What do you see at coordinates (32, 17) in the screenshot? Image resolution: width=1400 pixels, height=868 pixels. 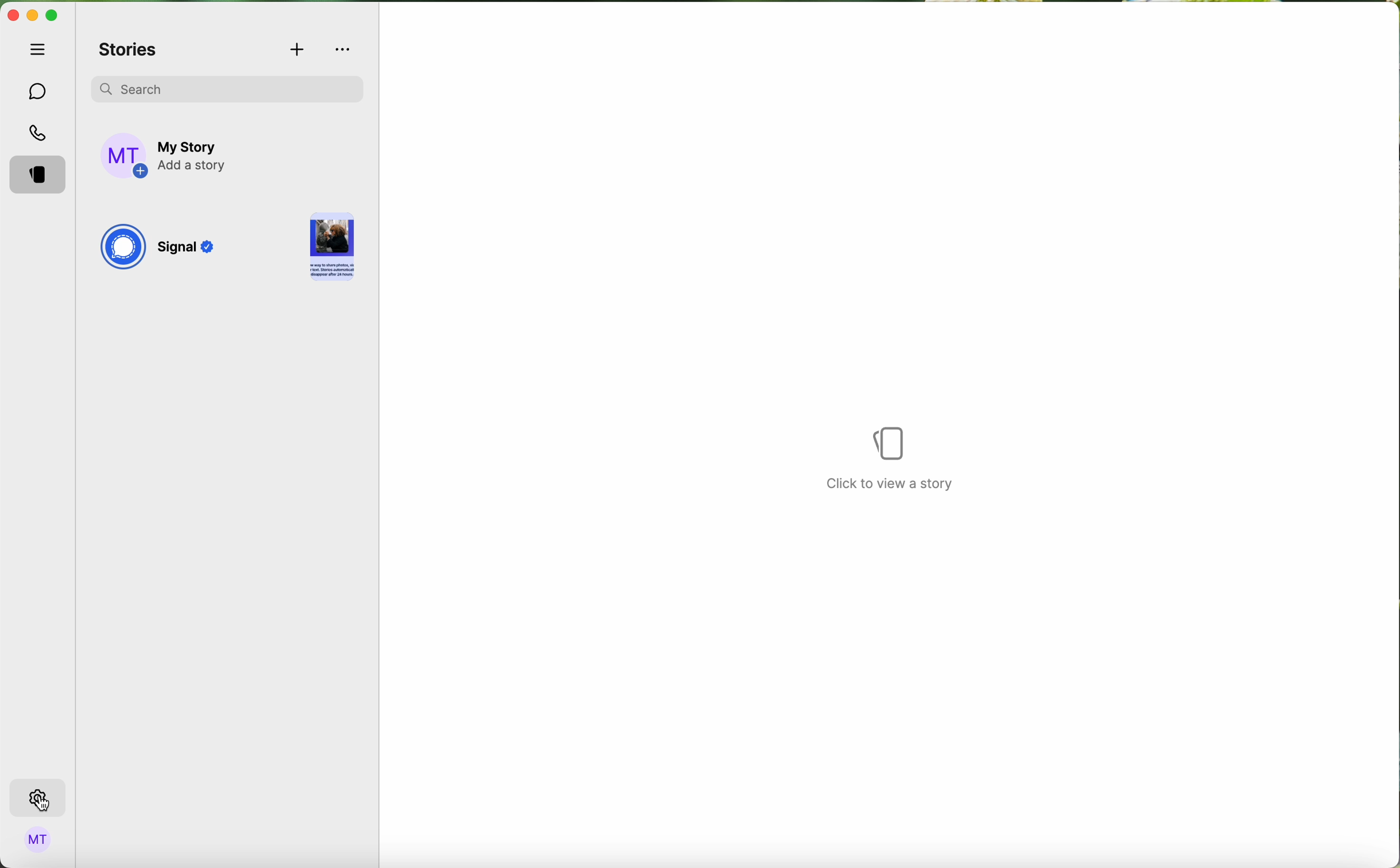 I see `minimize` at bounding box center [32, 17].